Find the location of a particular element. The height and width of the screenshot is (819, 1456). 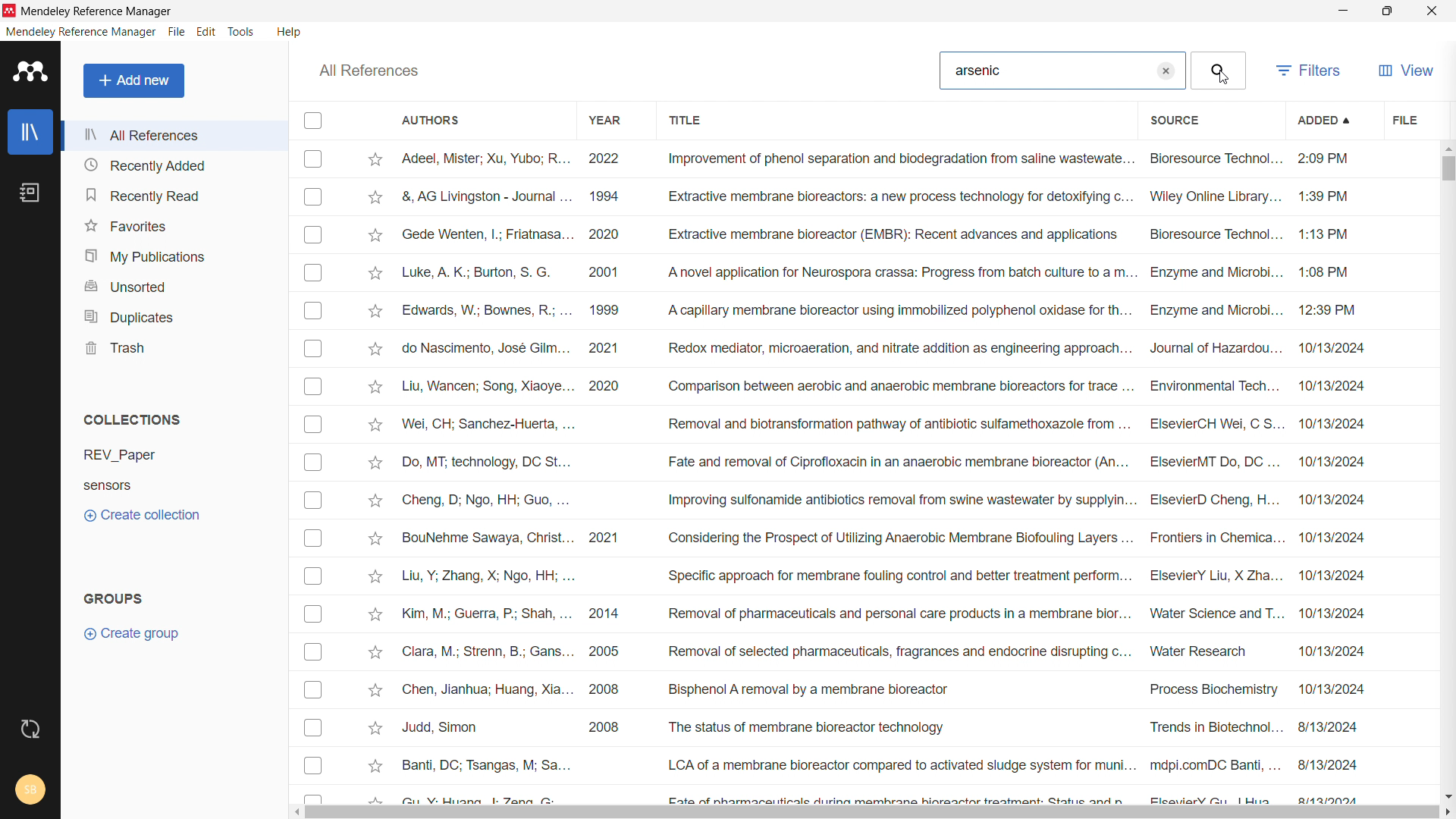

REV_Paper is located at coordinates (158, 456).